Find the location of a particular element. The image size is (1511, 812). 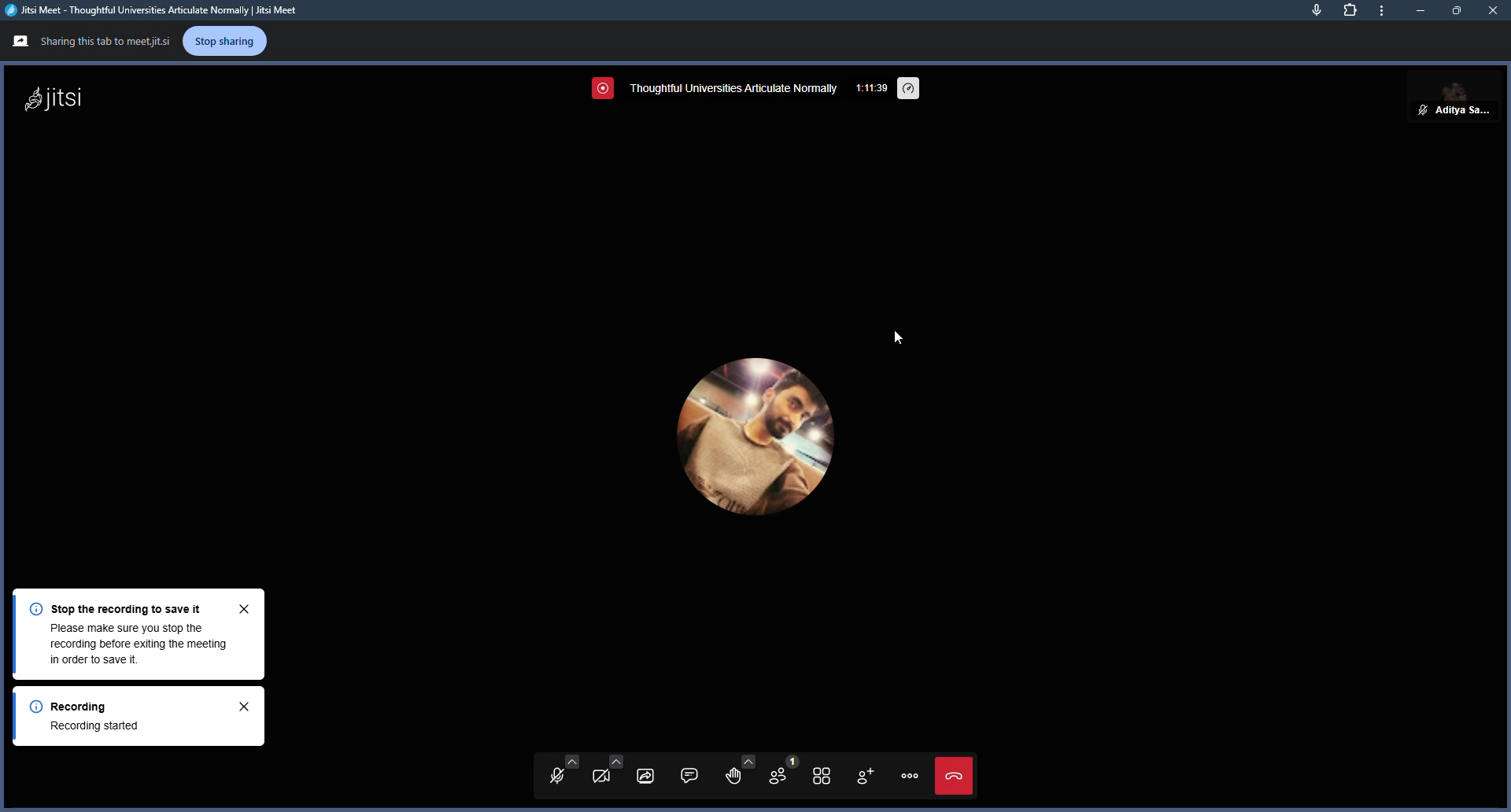

participants is located at coordinates (778, 775).